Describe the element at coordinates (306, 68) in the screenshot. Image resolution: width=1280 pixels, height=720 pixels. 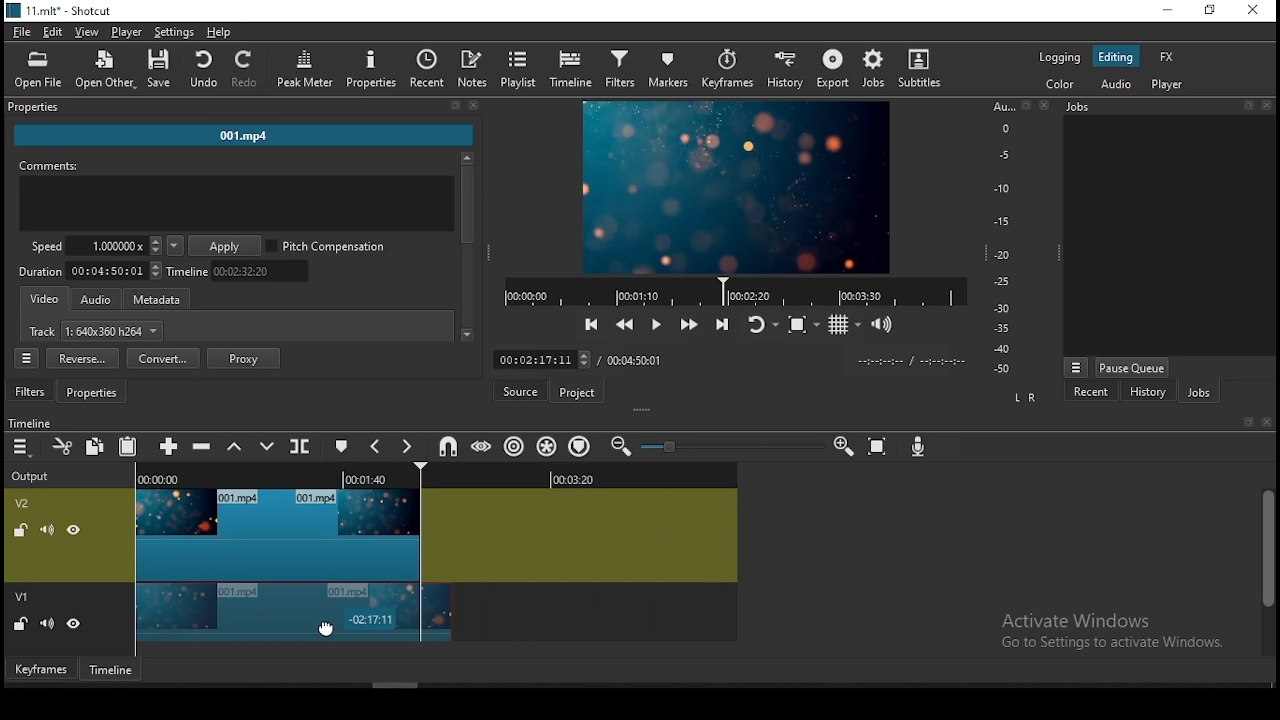
I see `peak meter` at that location.